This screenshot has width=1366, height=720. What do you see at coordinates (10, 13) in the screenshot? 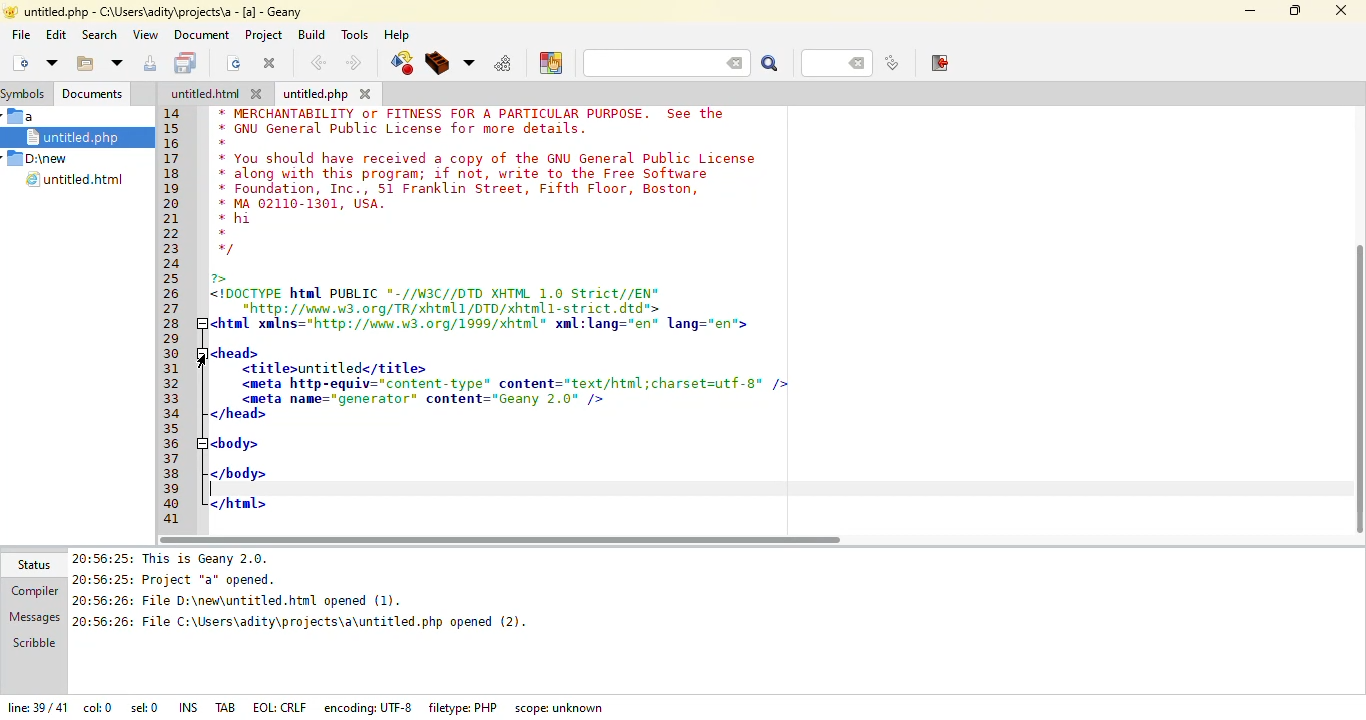
I see `app logo` at bounding box center [10, 13].